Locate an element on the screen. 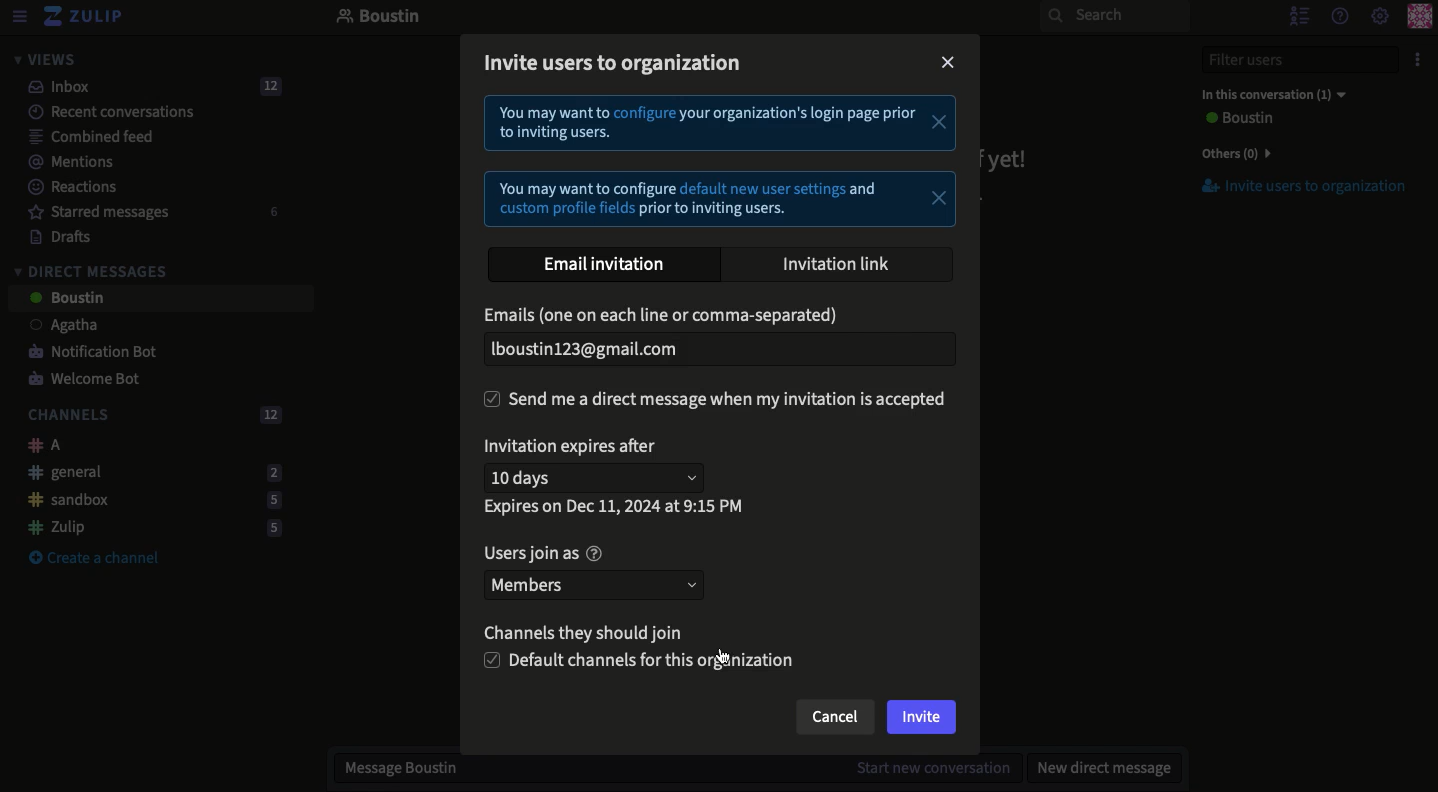 Image resolution: width=1438 pixels, height=792 pixels. Drafts is located at coordinates (51, 236).